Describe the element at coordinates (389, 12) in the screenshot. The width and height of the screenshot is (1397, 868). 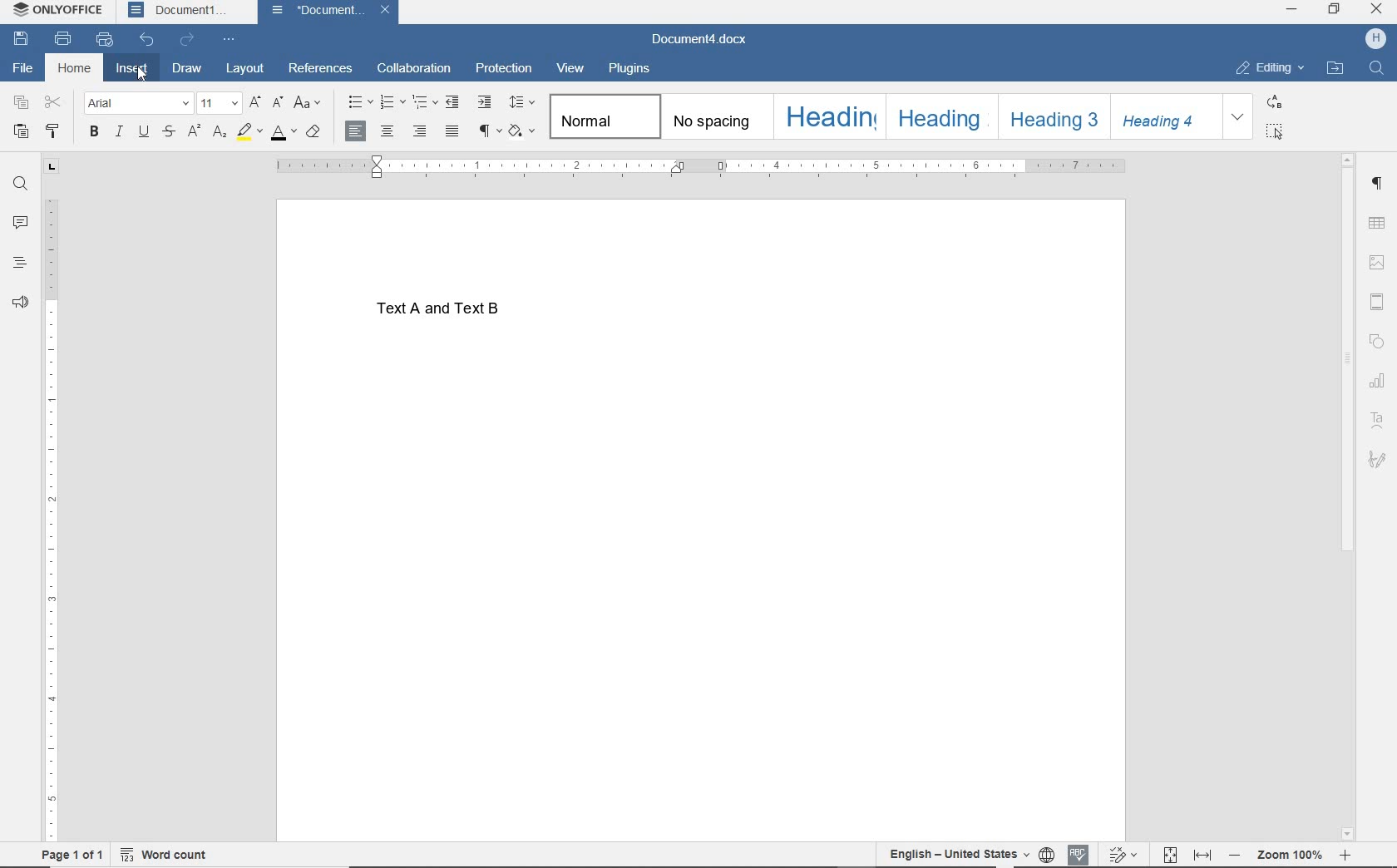
I see `close document` at that location.